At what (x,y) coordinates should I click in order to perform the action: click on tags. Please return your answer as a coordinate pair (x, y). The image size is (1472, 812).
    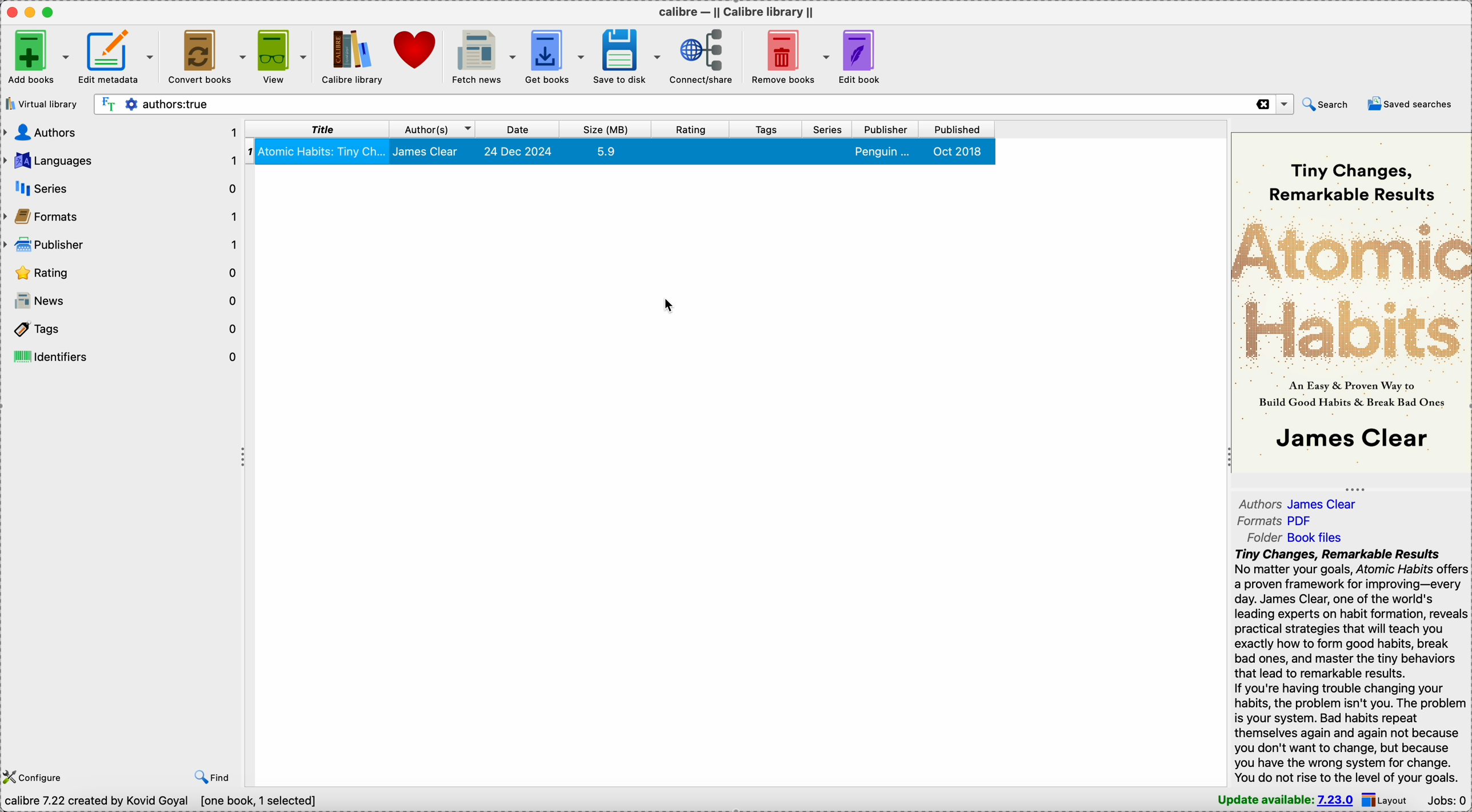
    Looking at the image, I should click on (122, 327).